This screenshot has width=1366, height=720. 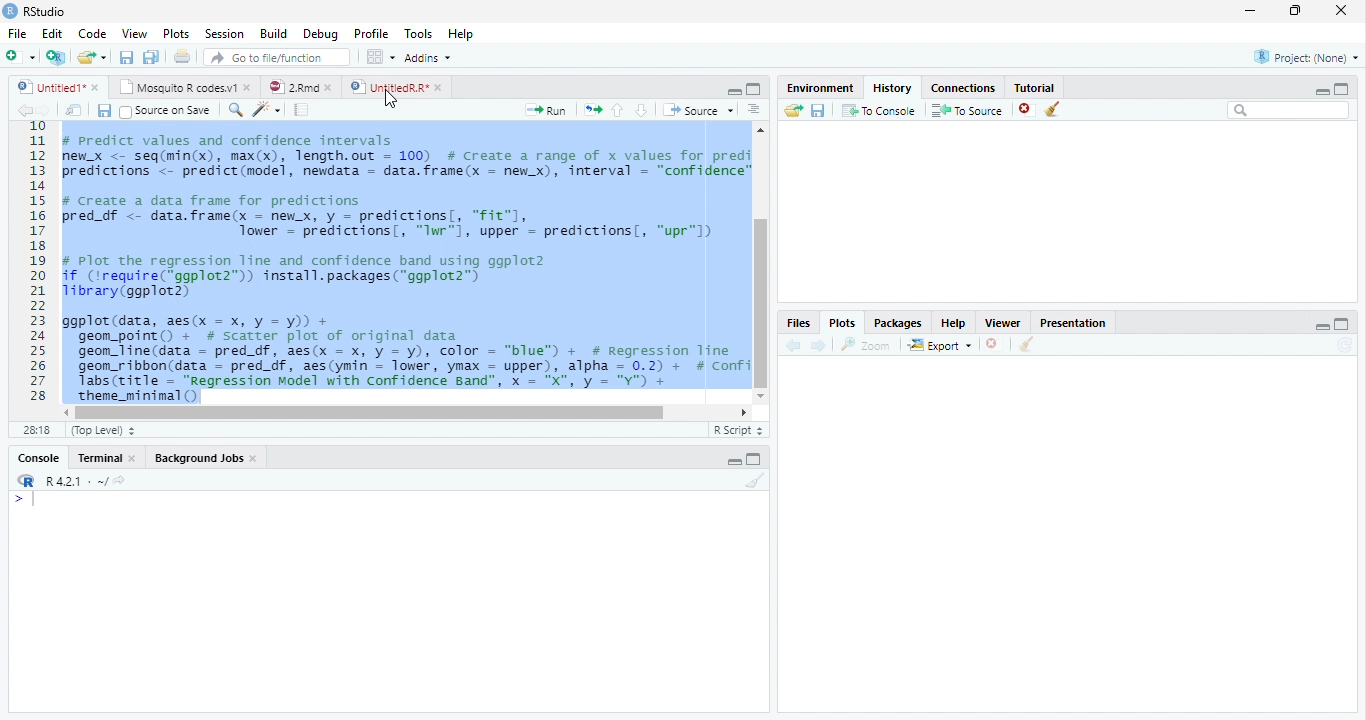 I want to click on Minimize, so click(x=1321, y=93).